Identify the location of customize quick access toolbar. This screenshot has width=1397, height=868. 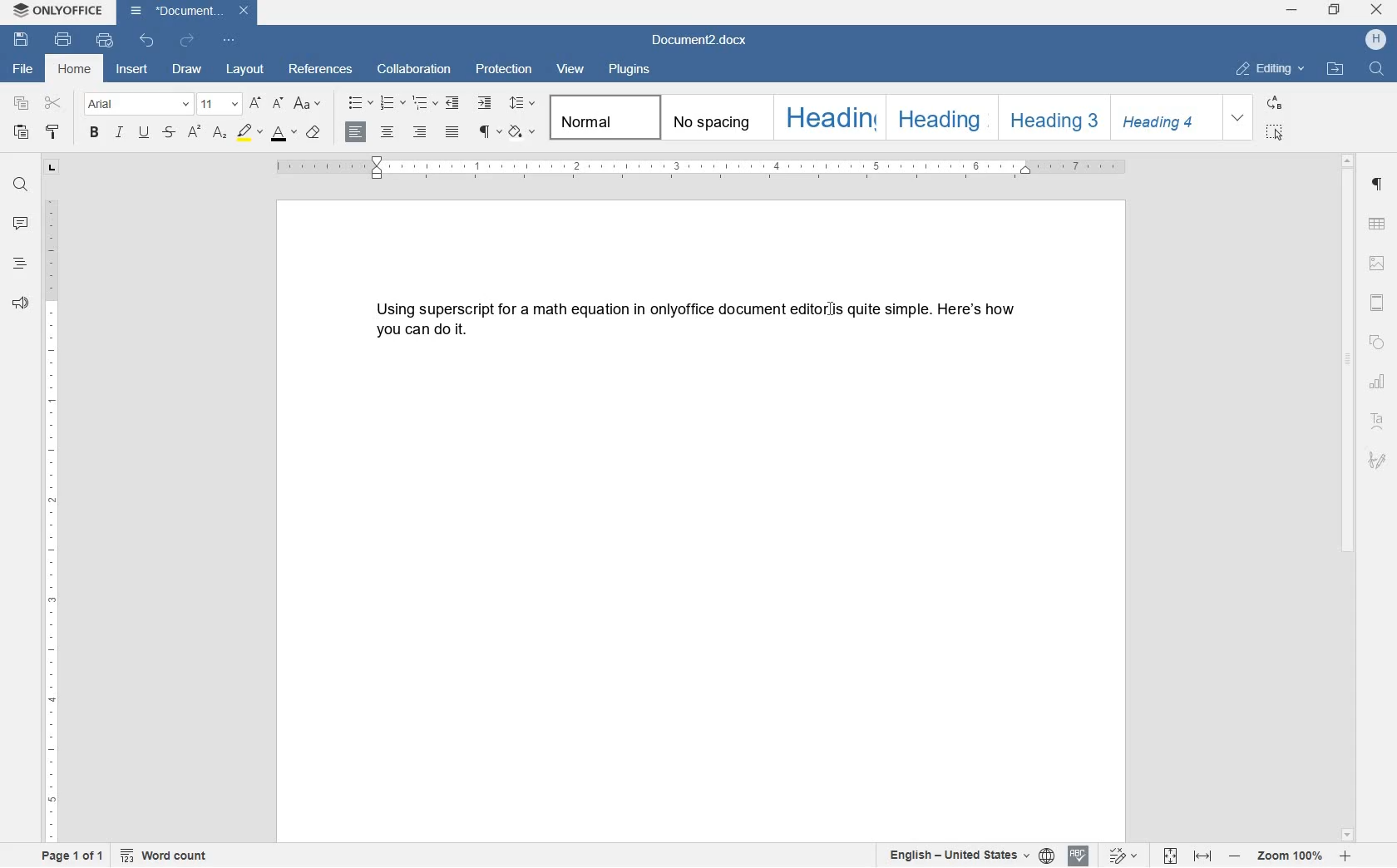
(227, 40).